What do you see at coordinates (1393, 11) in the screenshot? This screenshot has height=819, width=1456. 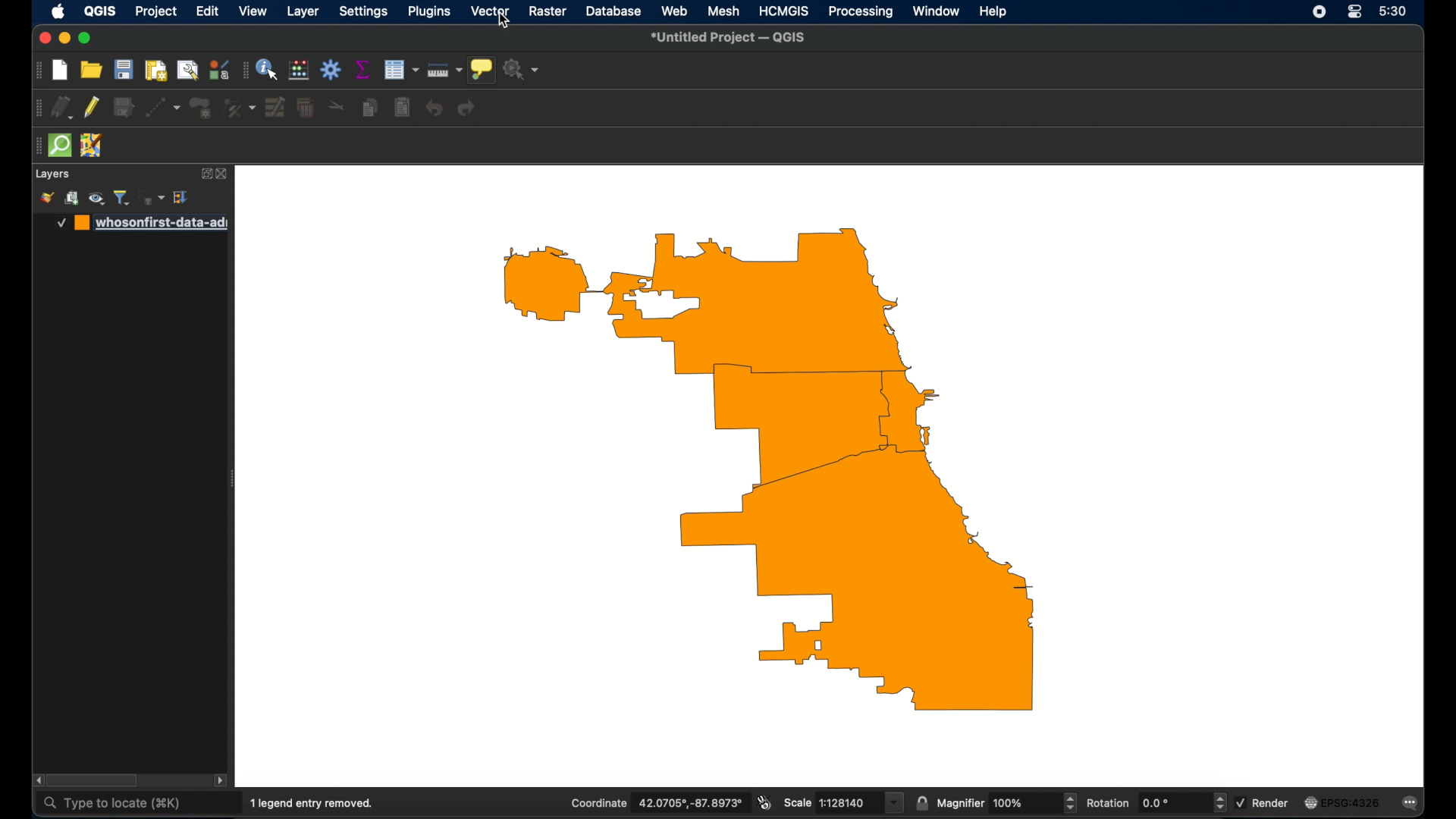 I see `time` at bounding box center [1393, 11].